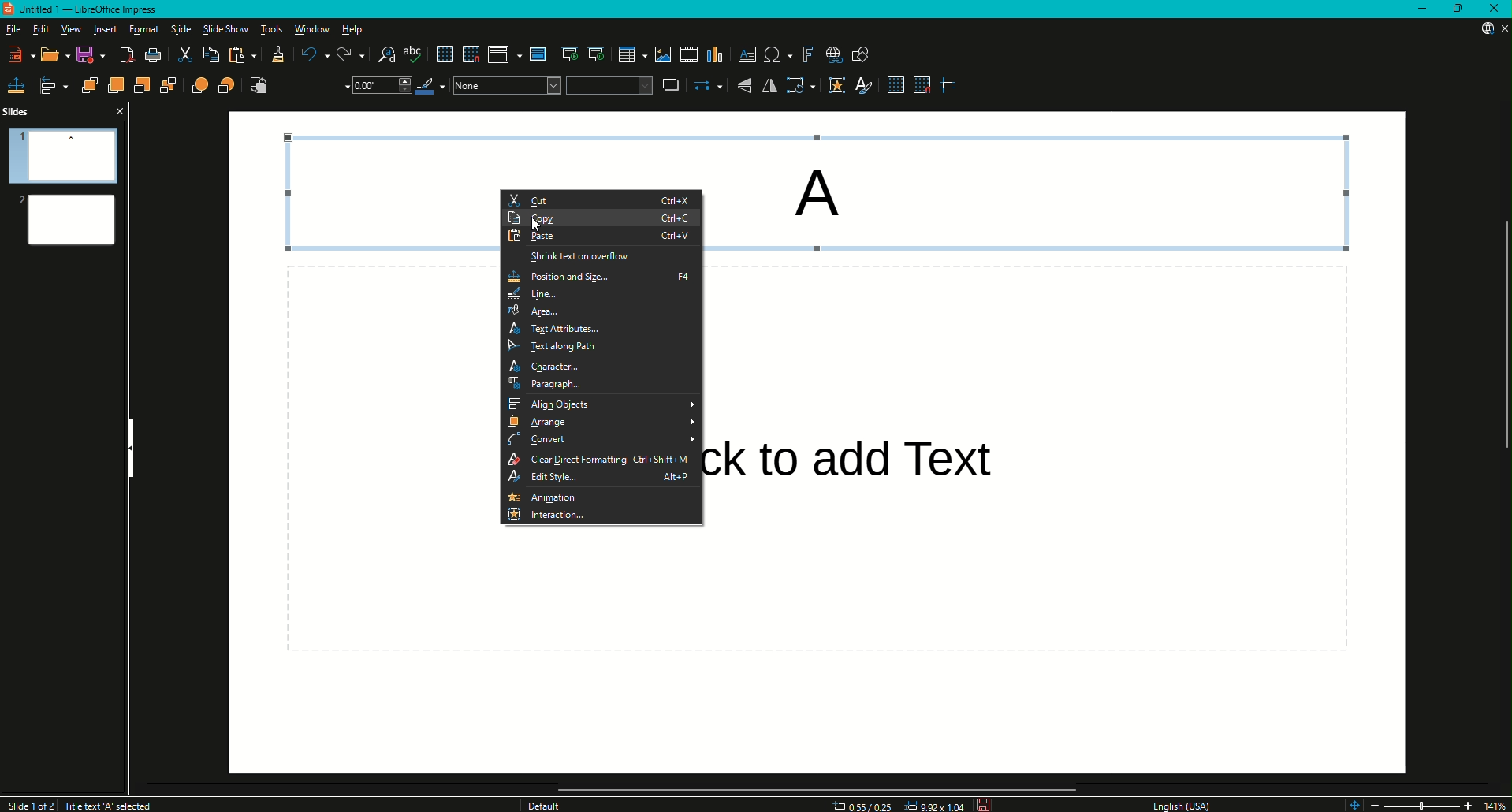 The width and height of the screenshot is (1512, 812). I want to click on Text Along Path, so click(599, 348).